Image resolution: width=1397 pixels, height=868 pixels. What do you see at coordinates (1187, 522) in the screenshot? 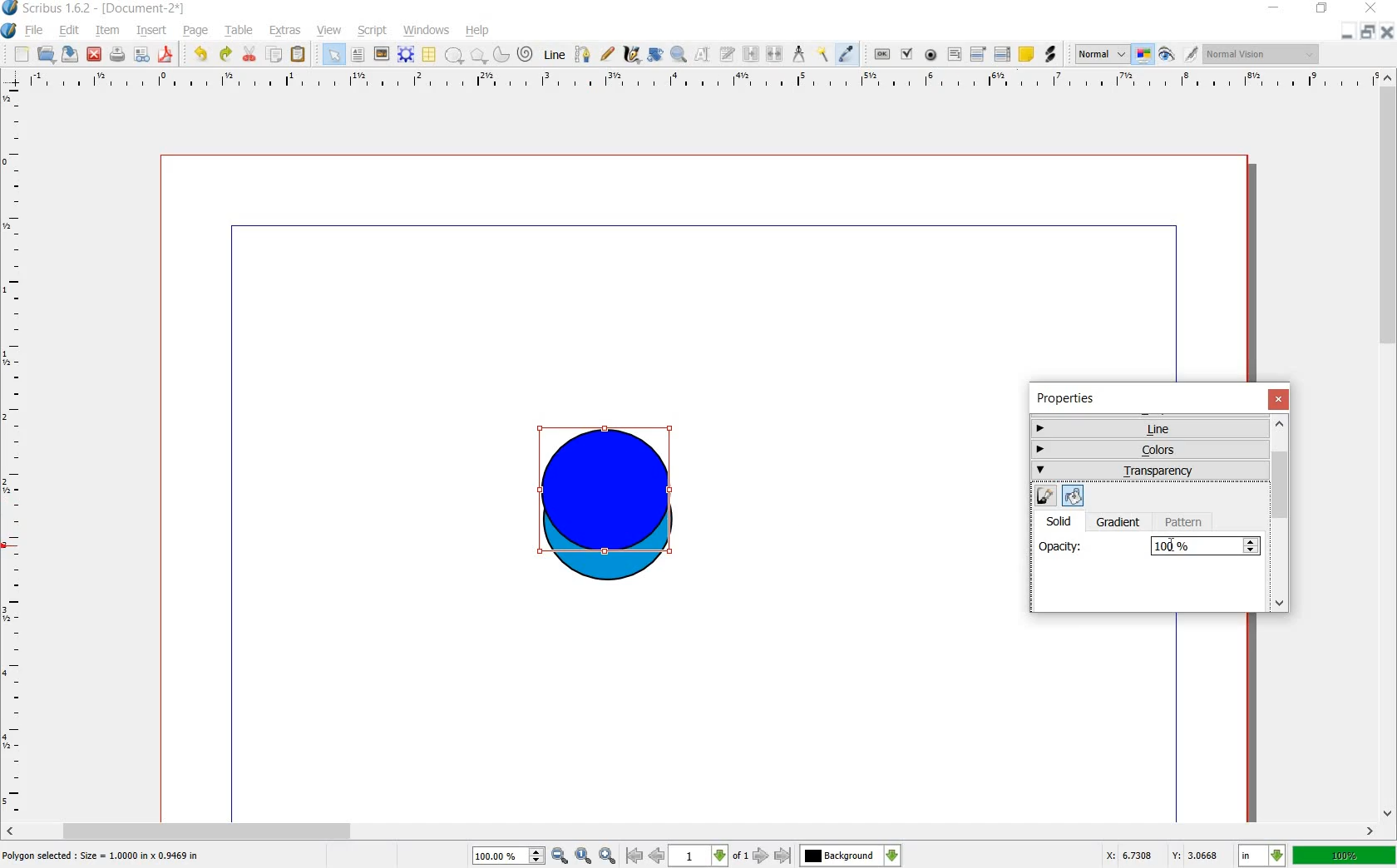
I see `pattern` at bounding box center [1187, 522].